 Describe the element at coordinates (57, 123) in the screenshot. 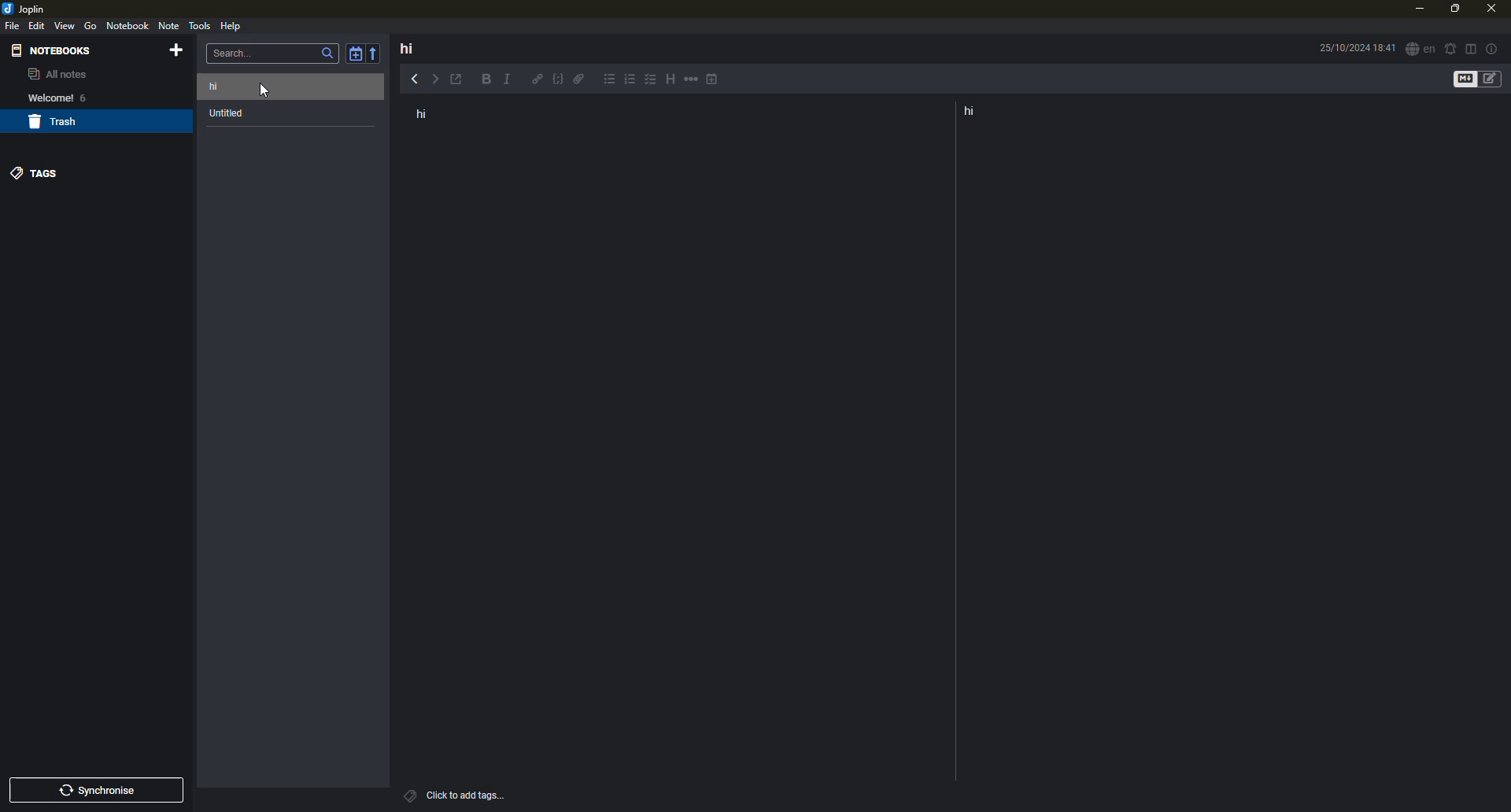

I see `trash` at that location.